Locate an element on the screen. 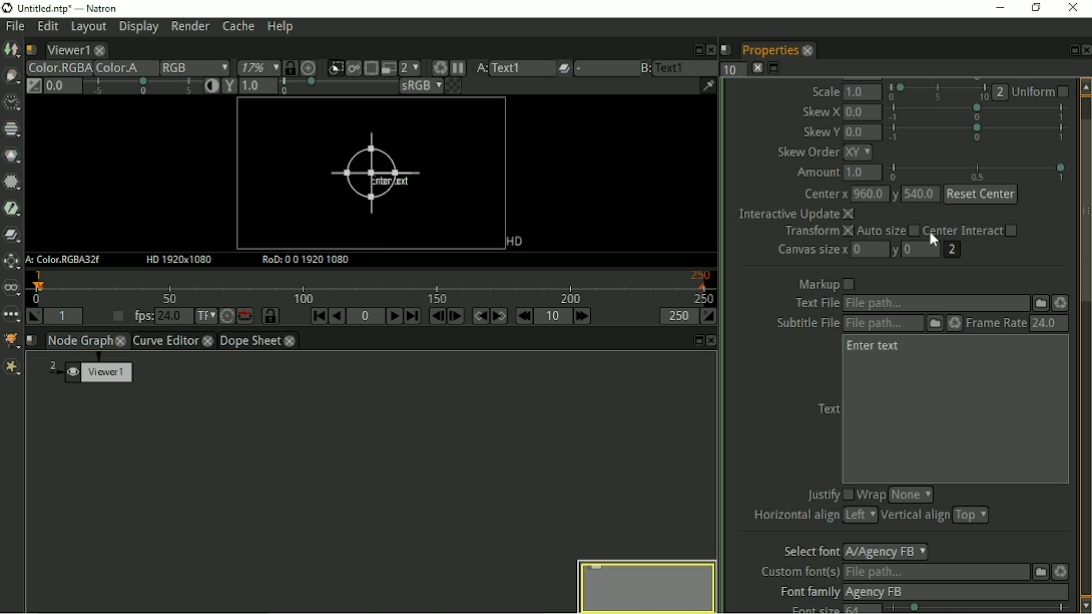 The image size is (1092, 614). Reload the file is located at coordinates (953, 324).